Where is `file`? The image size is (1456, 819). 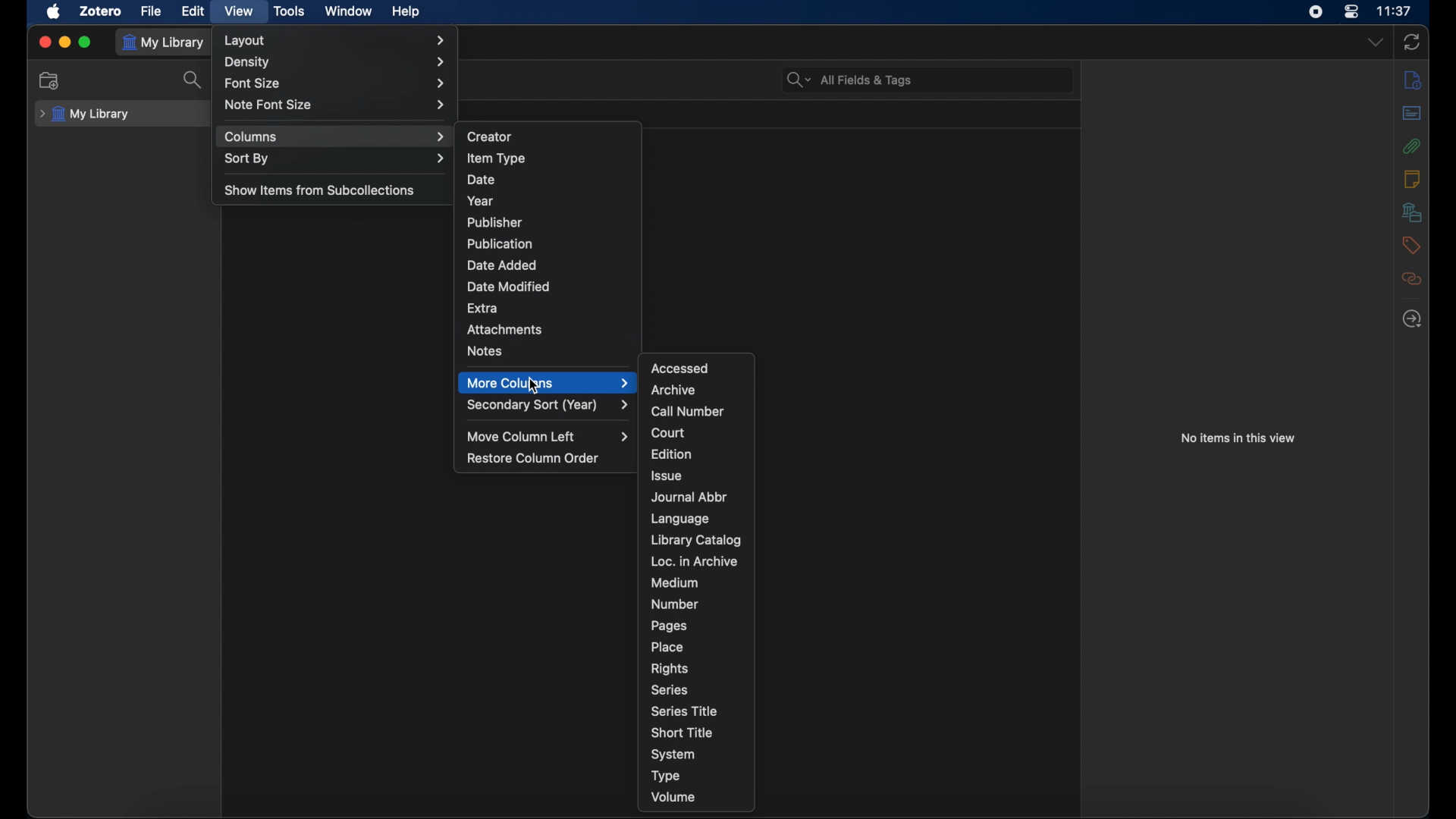
file is located at coordinates (152, 11).